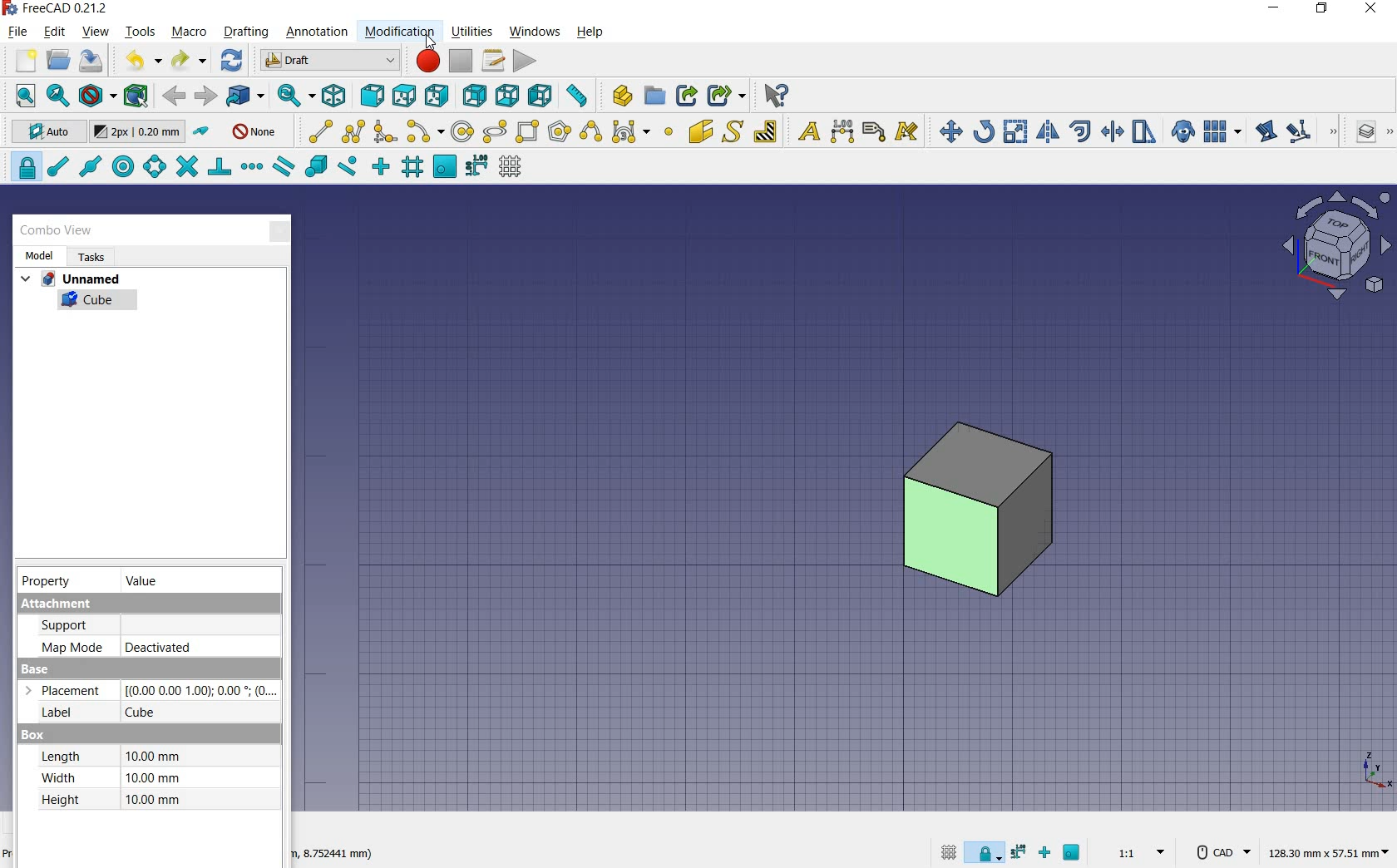 Image resolution: width=1397 pixels, height=868 pixels. What do you see at coordinates (687, 95) in the screenshot?
I see `make link` at bounding box center [687, 95].